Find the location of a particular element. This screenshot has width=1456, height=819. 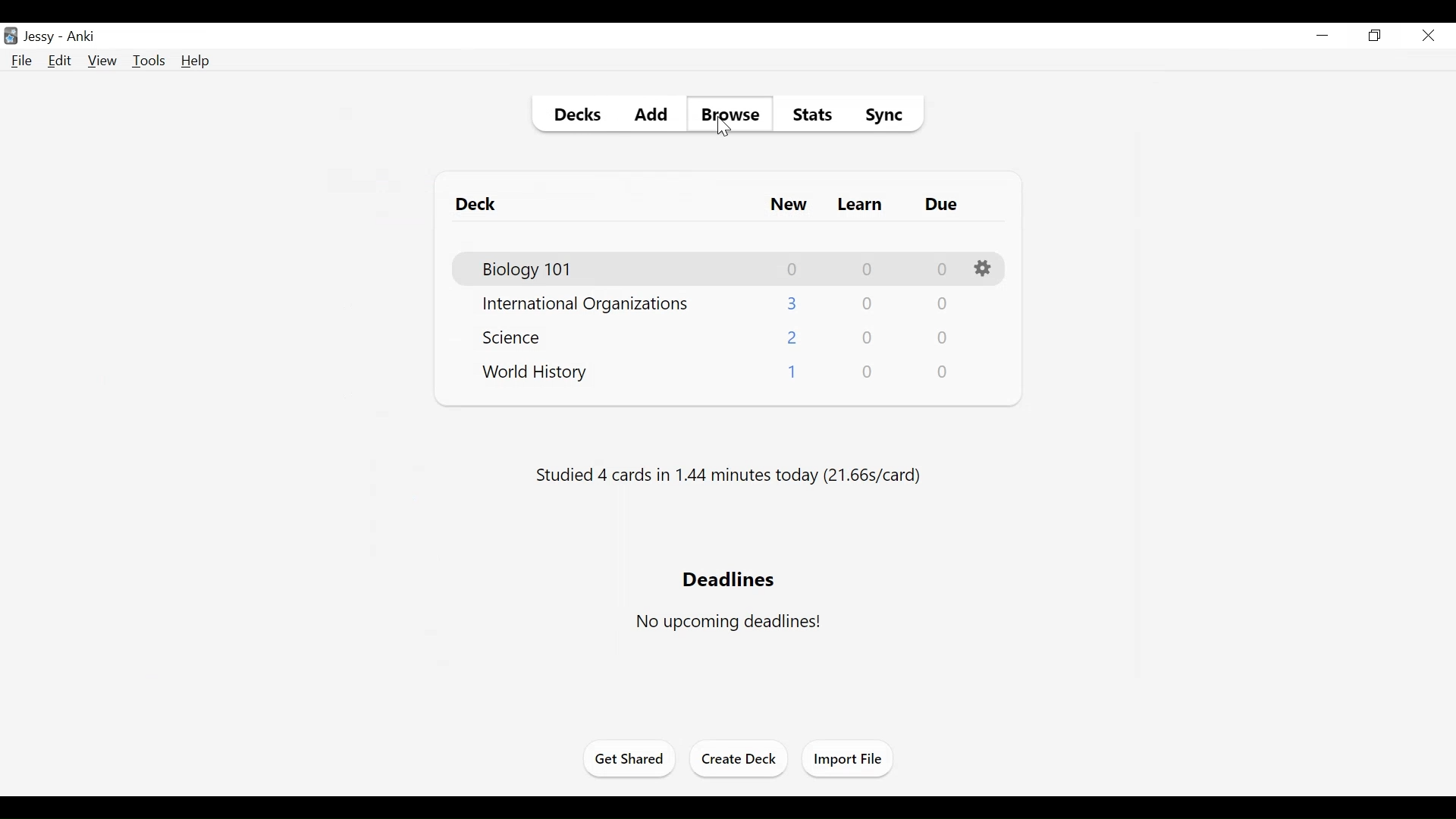

Deck Name Count is located at coordinates (536, 375).